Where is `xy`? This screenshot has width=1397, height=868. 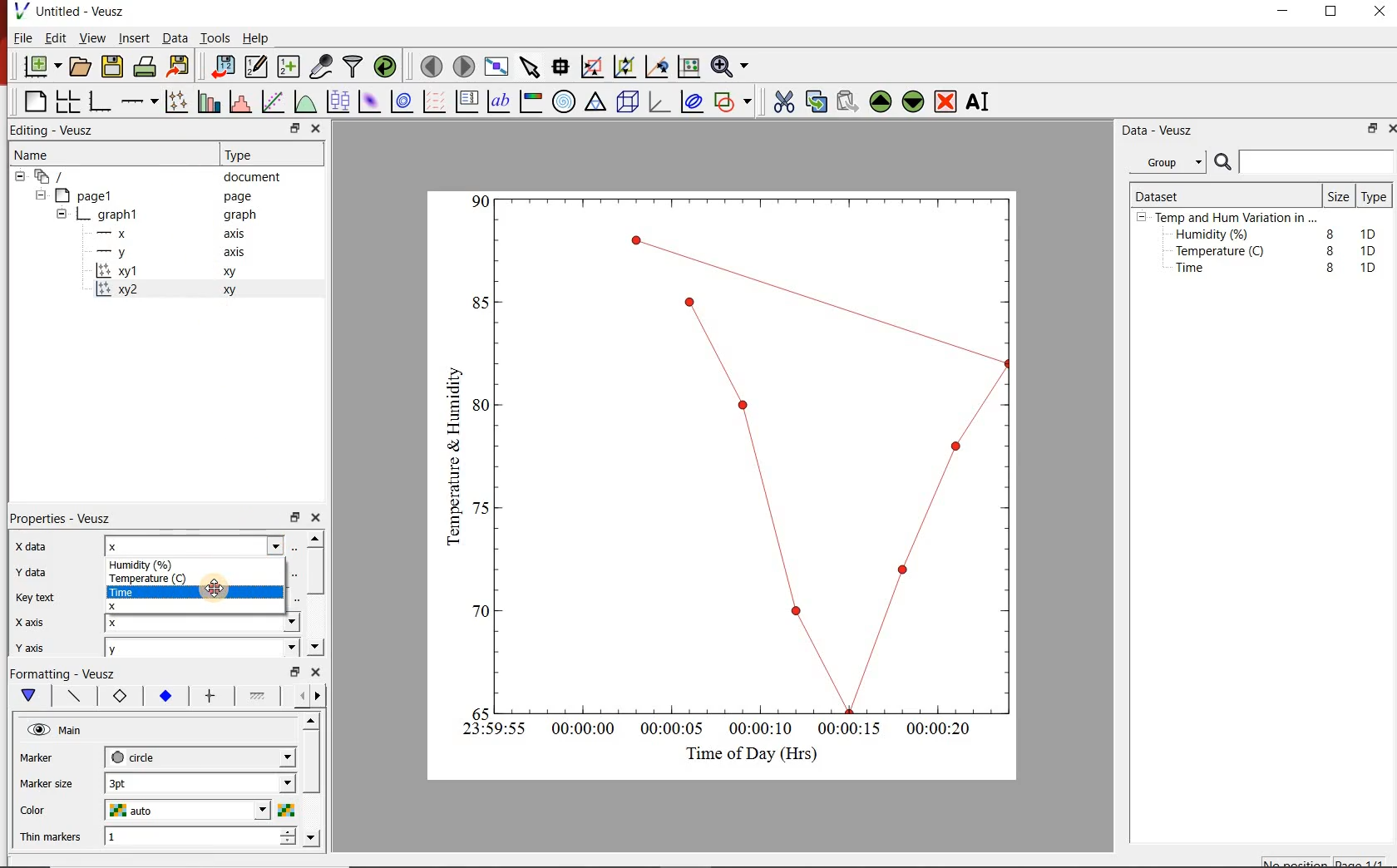 xy is located at coordinates (233, 274).